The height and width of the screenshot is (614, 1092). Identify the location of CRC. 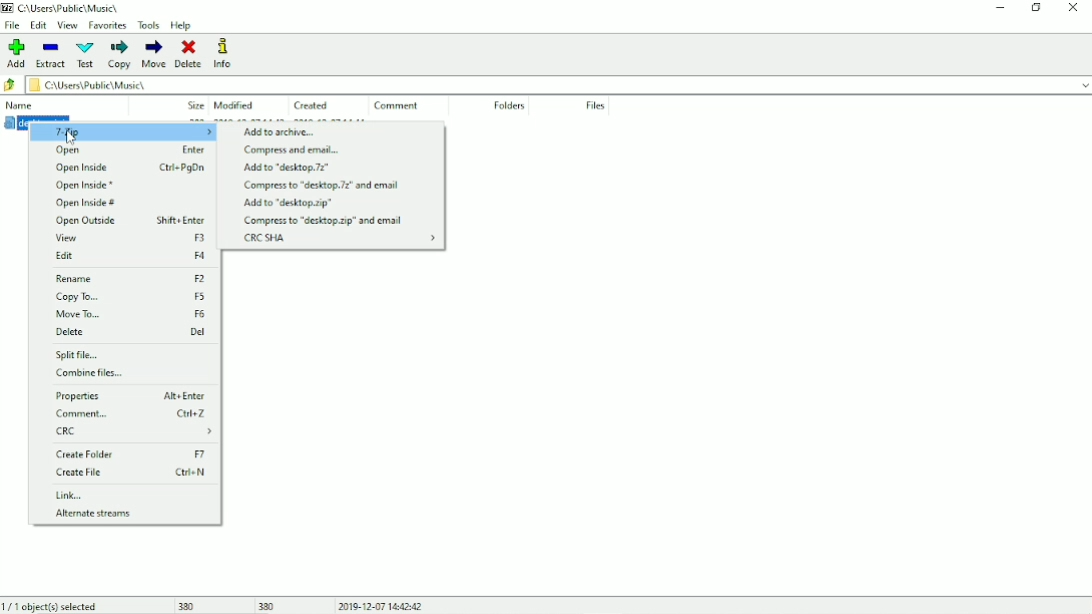
(134, 432).